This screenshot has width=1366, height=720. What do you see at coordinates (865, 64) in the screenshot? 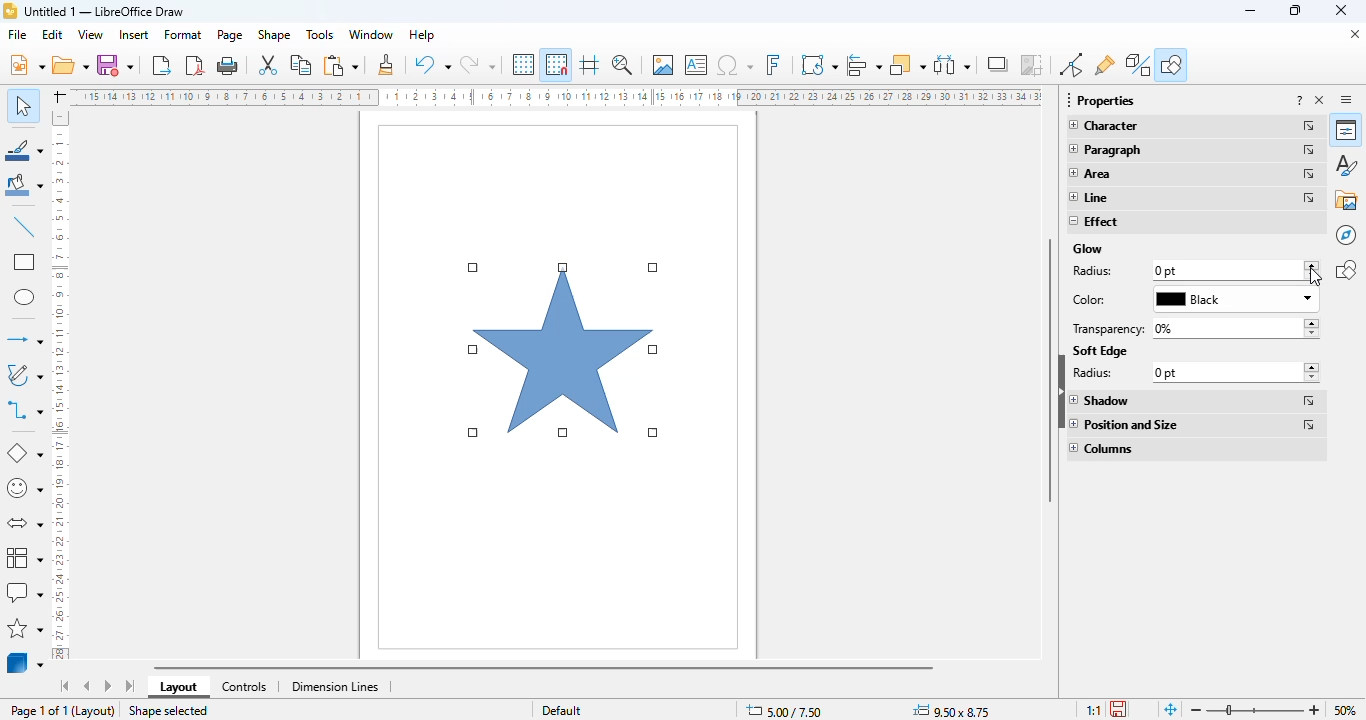
I see `align objects` at bounding box center [865, 64].